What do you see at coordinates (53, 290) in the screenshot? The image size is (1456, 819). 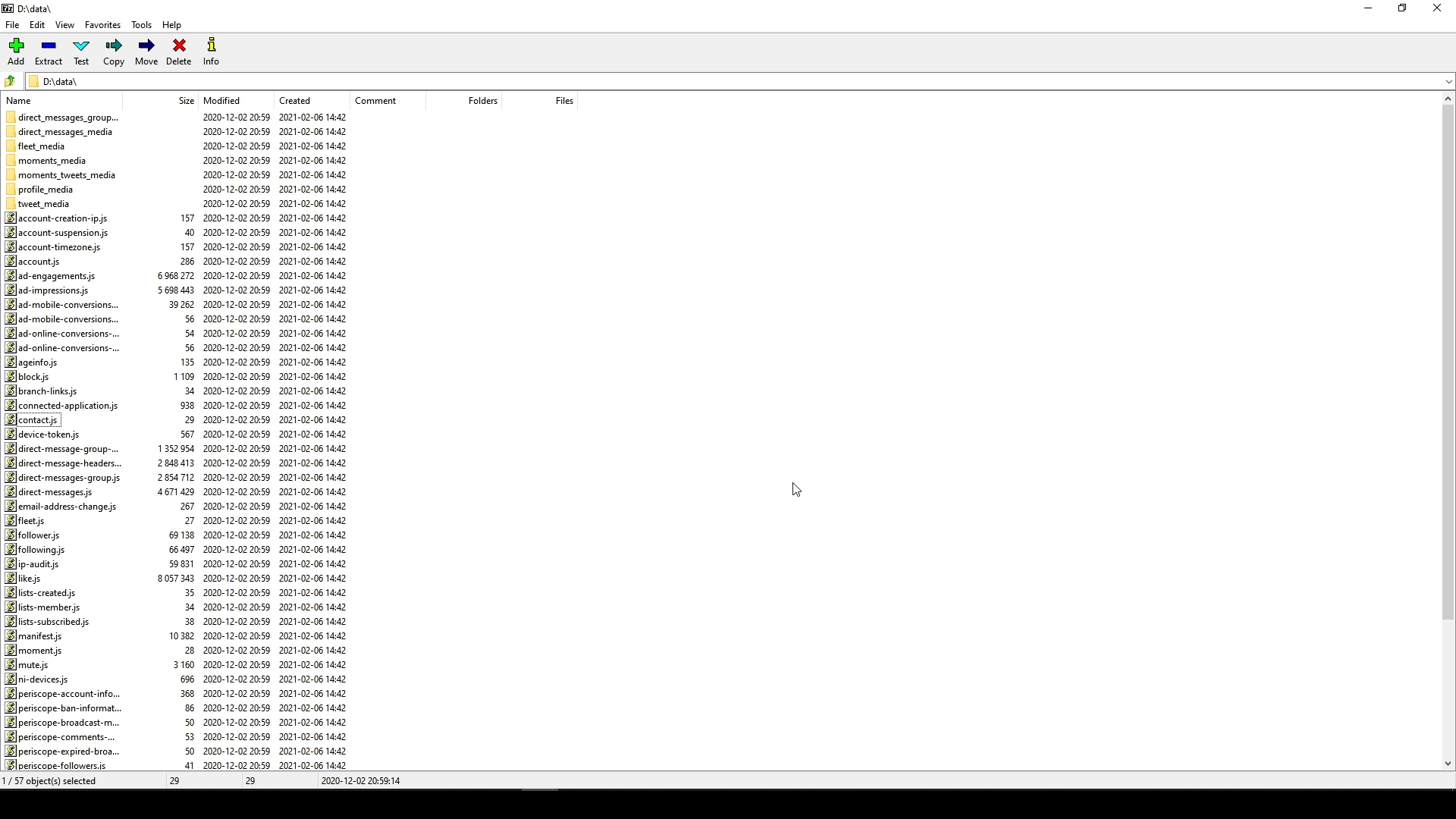 I see `ad-impressions.js` at bounding box center [53, 290].